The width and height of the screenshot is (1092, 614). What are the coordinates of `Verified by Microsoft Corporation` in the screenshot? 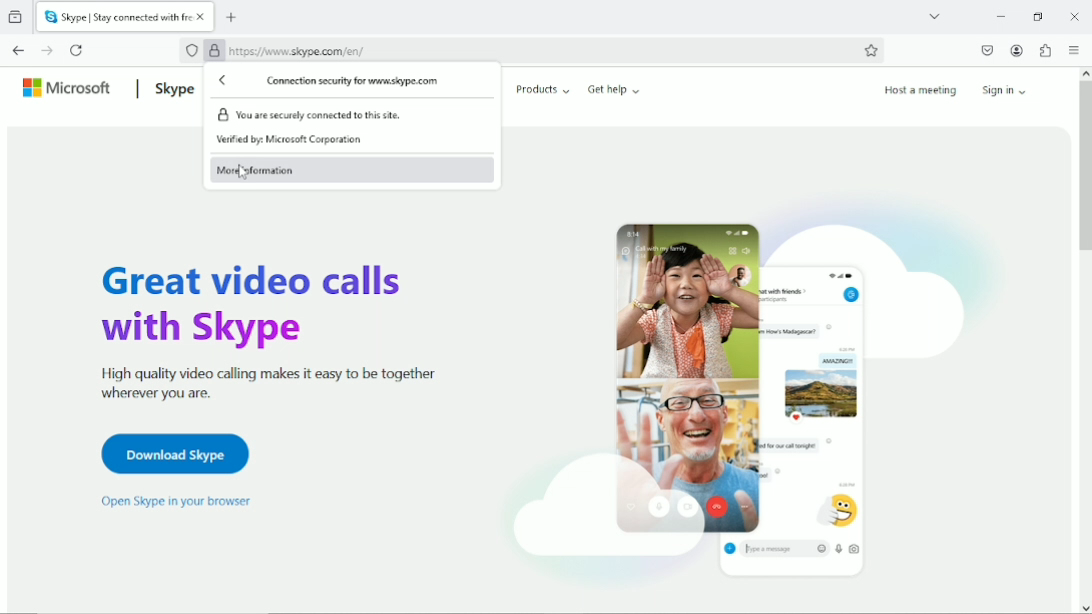 It's located at (292, 142).